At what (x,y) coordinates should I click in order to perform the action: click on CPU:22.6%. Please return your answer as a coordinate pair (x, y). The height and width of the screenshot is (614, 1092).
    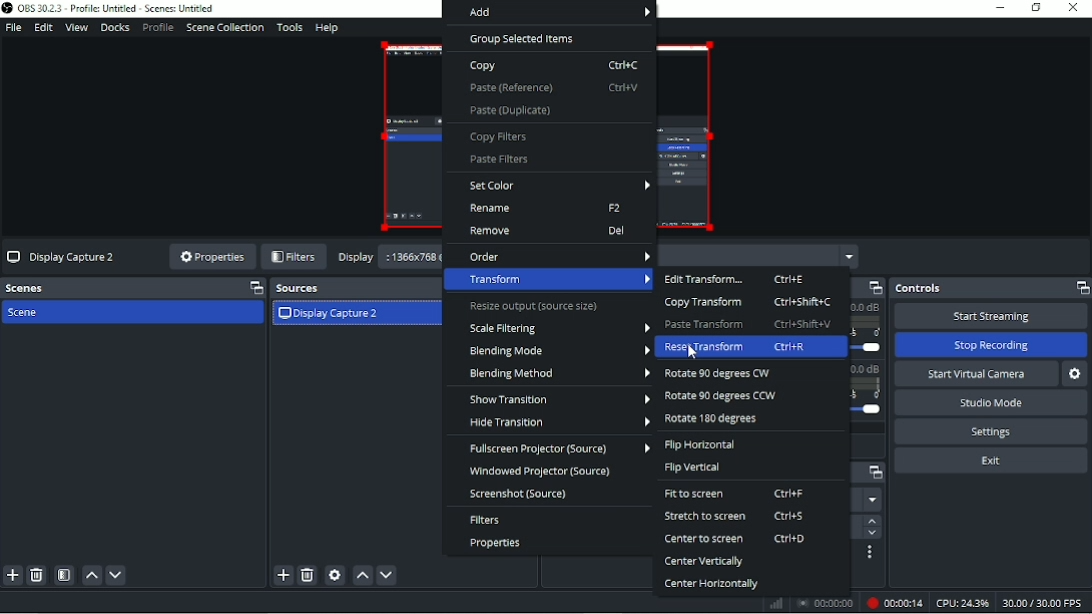
    Looking at the image, I should click on (961, 603).